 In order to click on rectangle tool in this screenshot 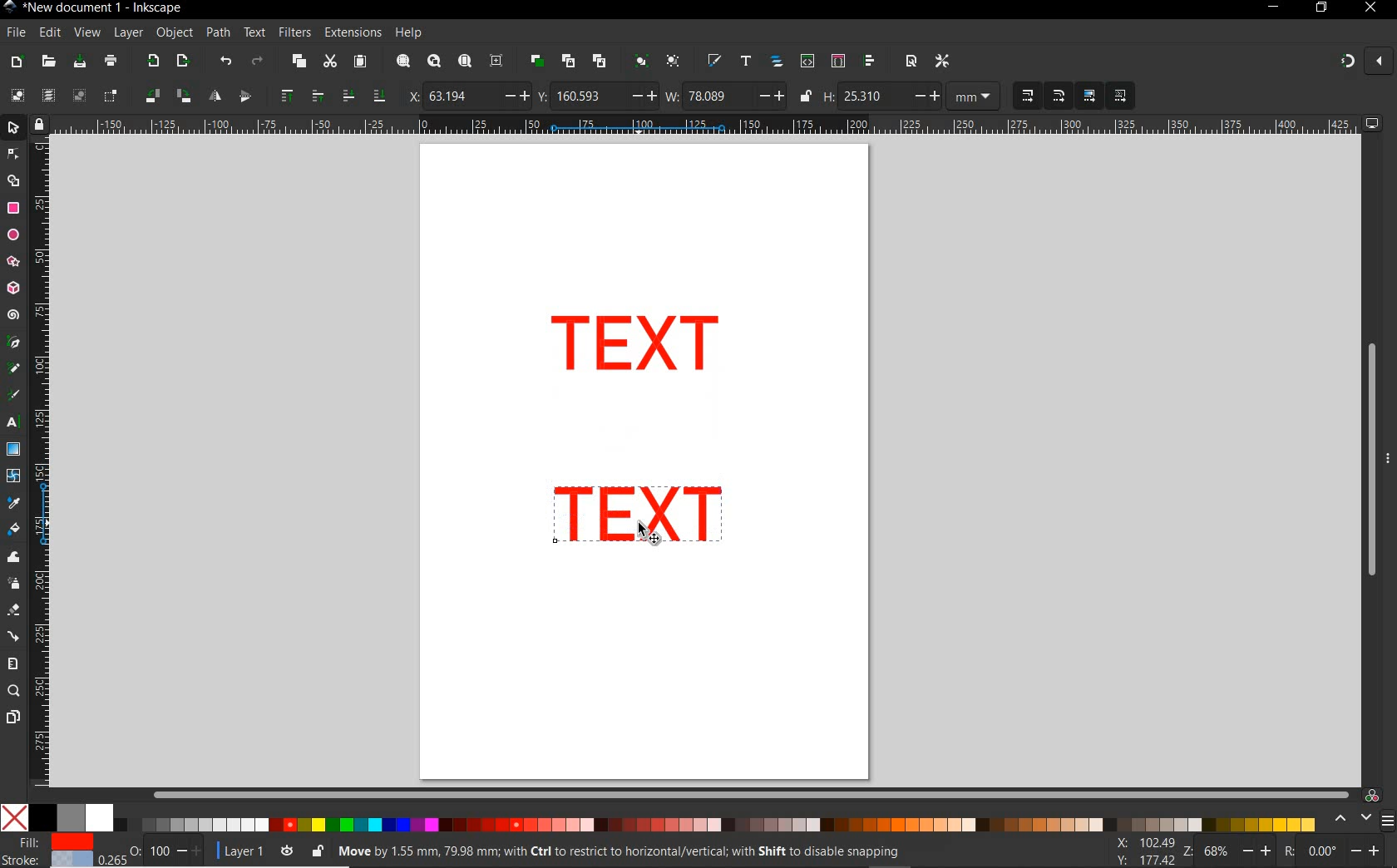, I will do `click(13, 208)`.